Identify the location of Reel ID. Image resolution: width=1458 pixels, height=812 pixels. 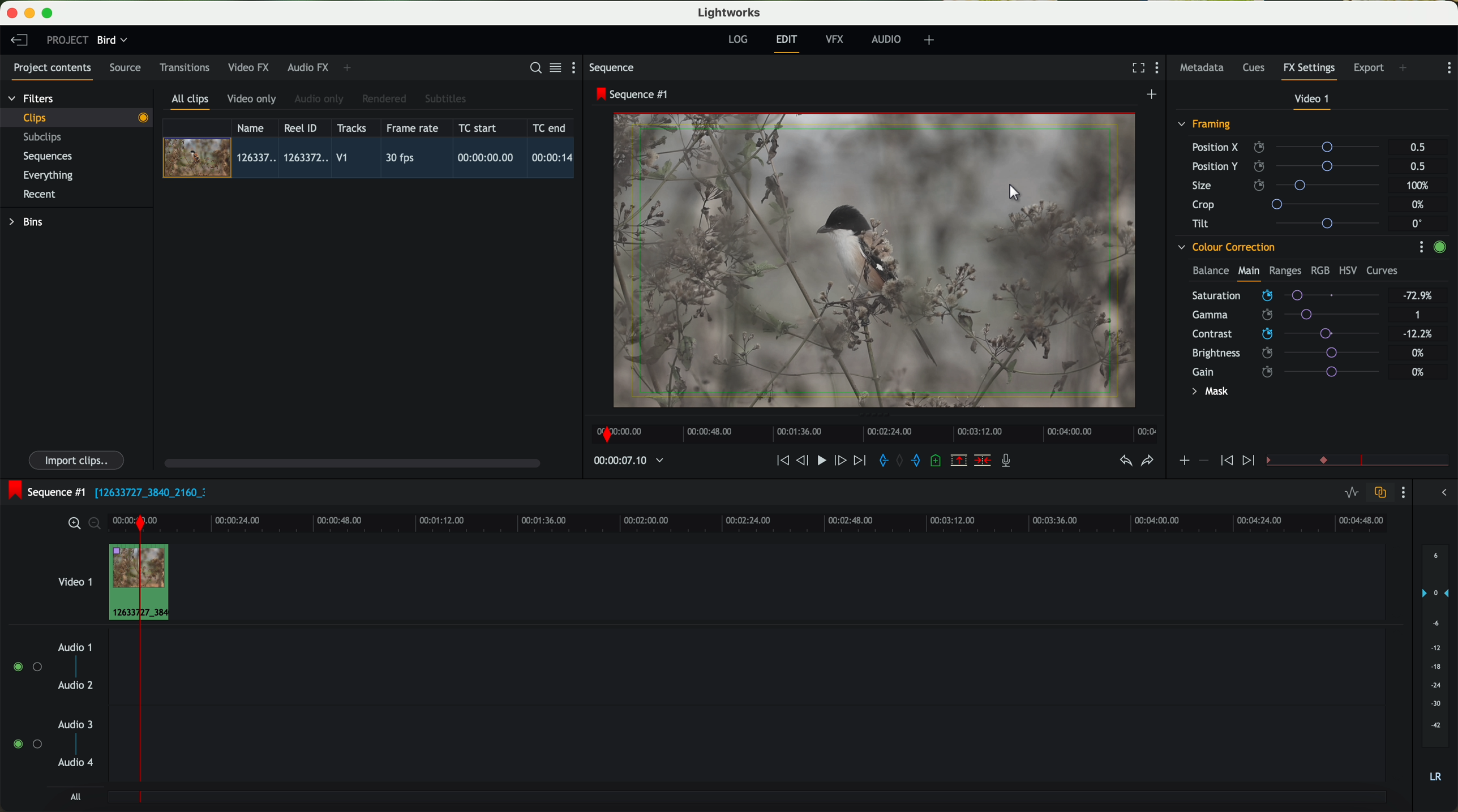
(303, 127).